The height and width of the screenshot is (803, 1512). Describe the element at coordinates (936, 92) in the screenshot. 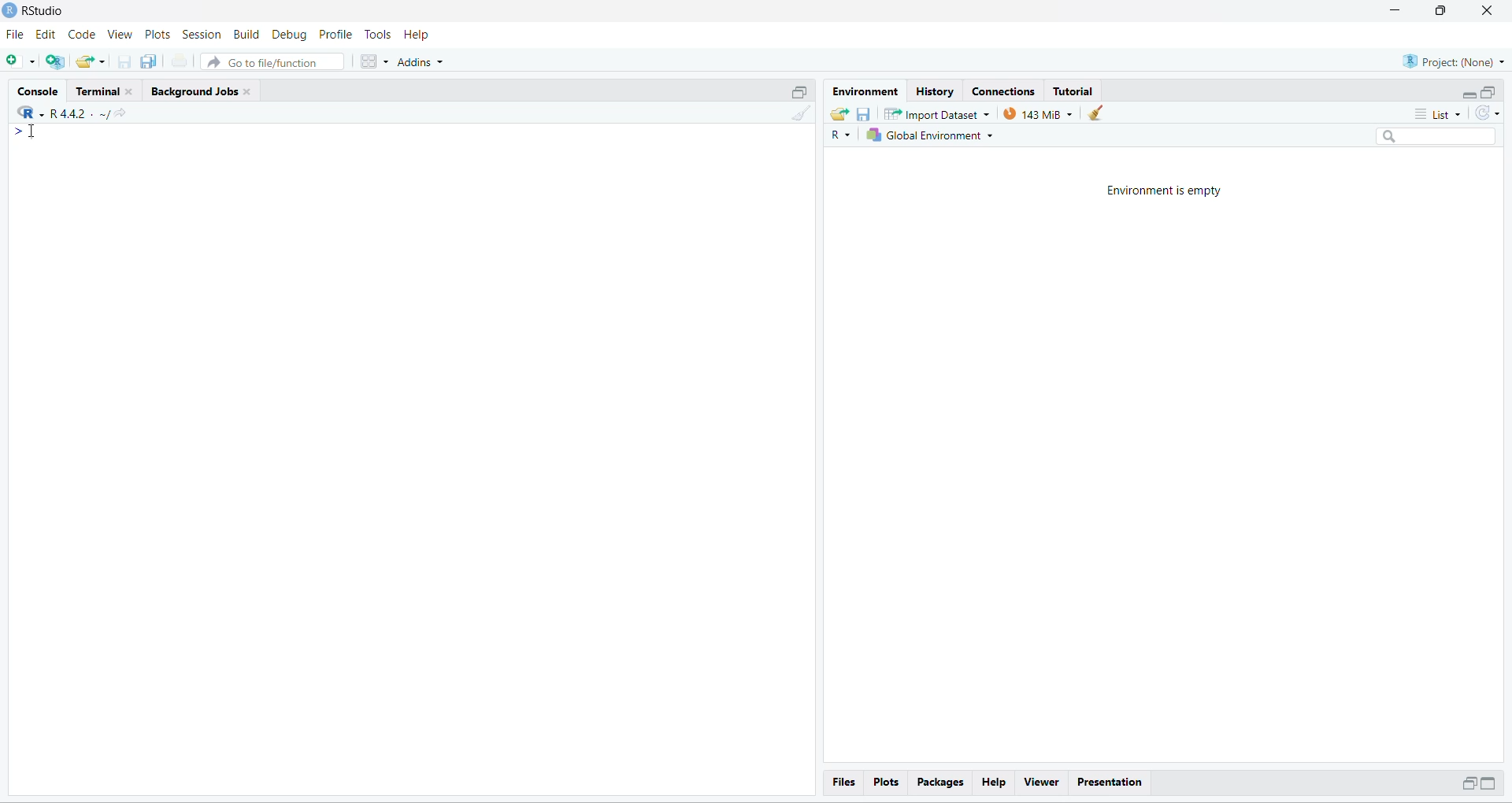

I see `History ` at that location.